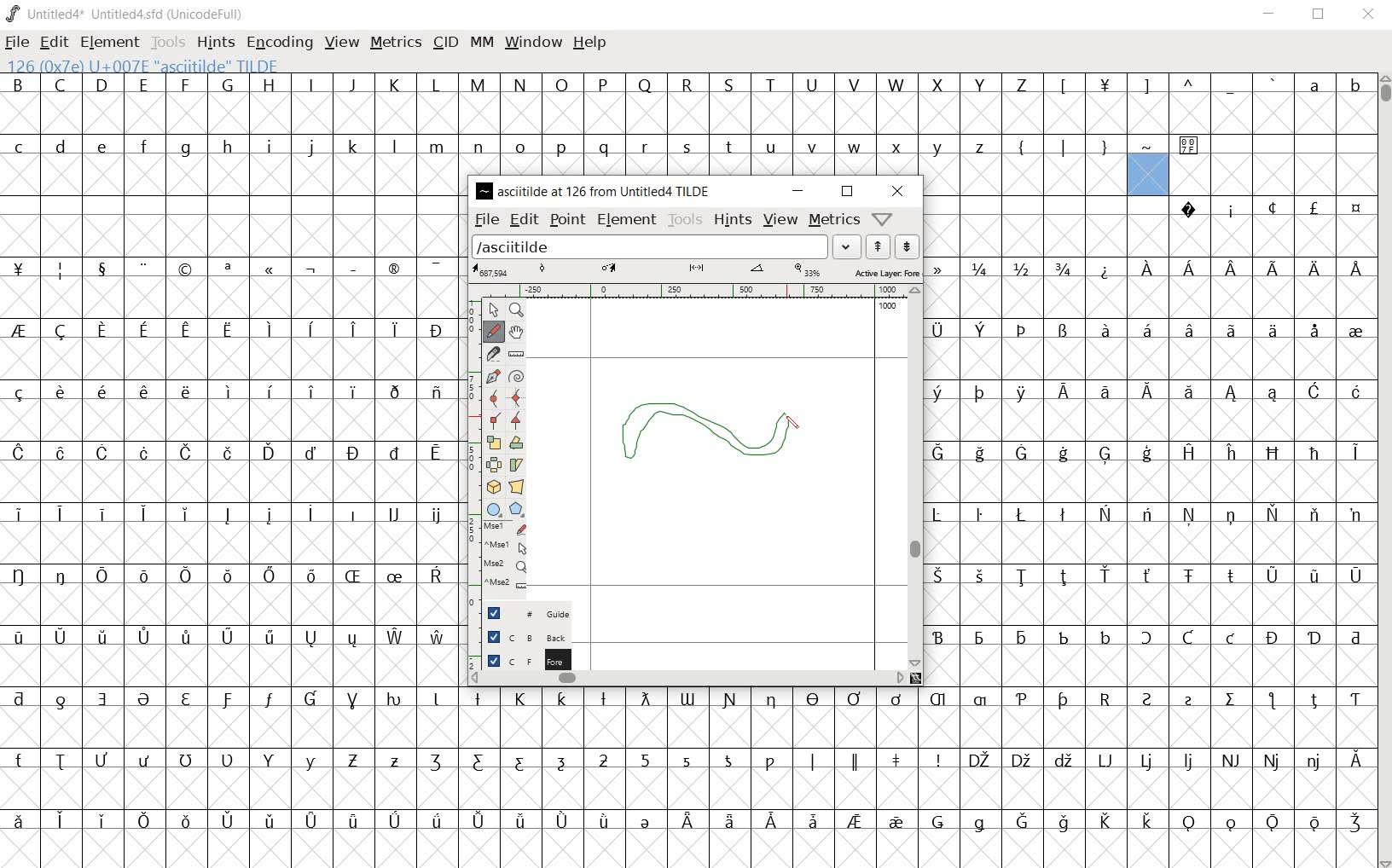 The image size is (1392, 868). I want to click on load word list, so click(665, 246).